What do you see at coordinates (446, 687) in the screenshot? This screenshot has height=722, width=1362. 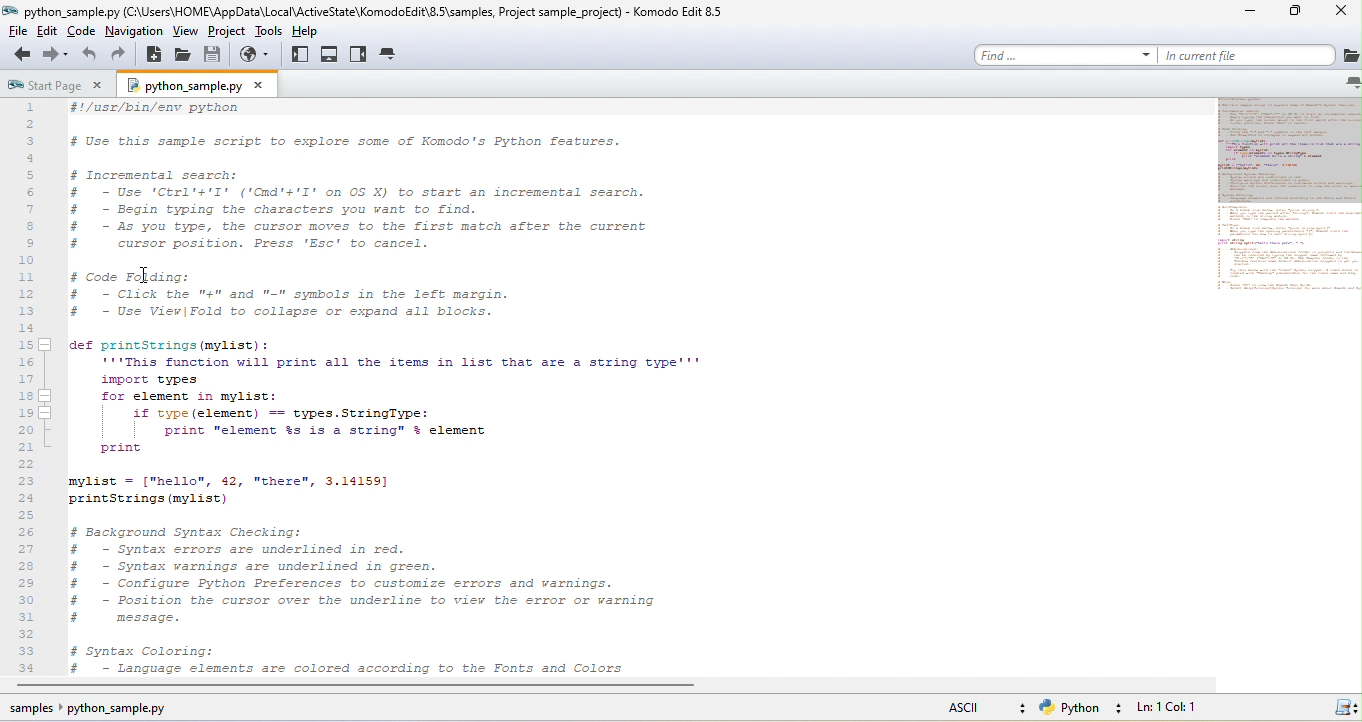 I see `horizontal scroll bar` at bounding box center [446, 687].